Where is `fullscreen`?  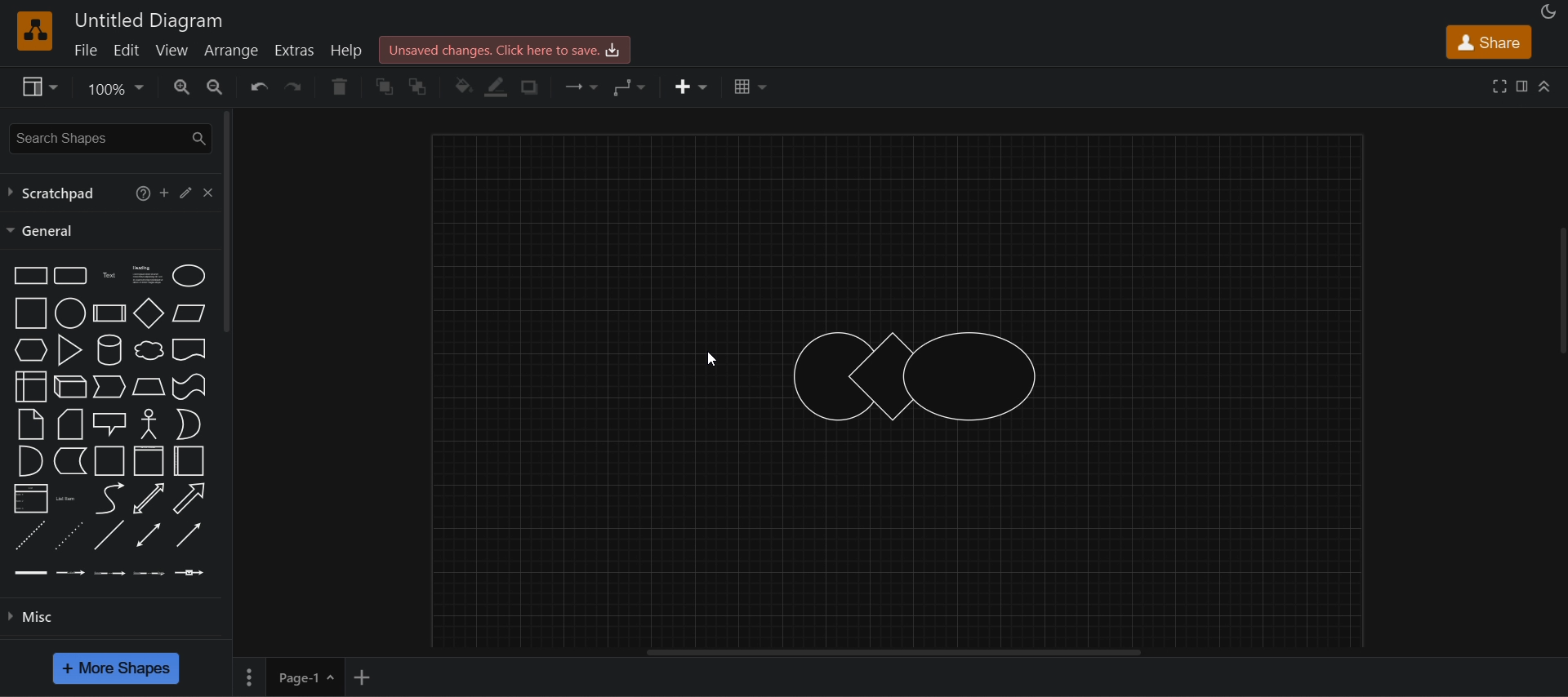
fullscreen is located at coordinates (1500, 85).